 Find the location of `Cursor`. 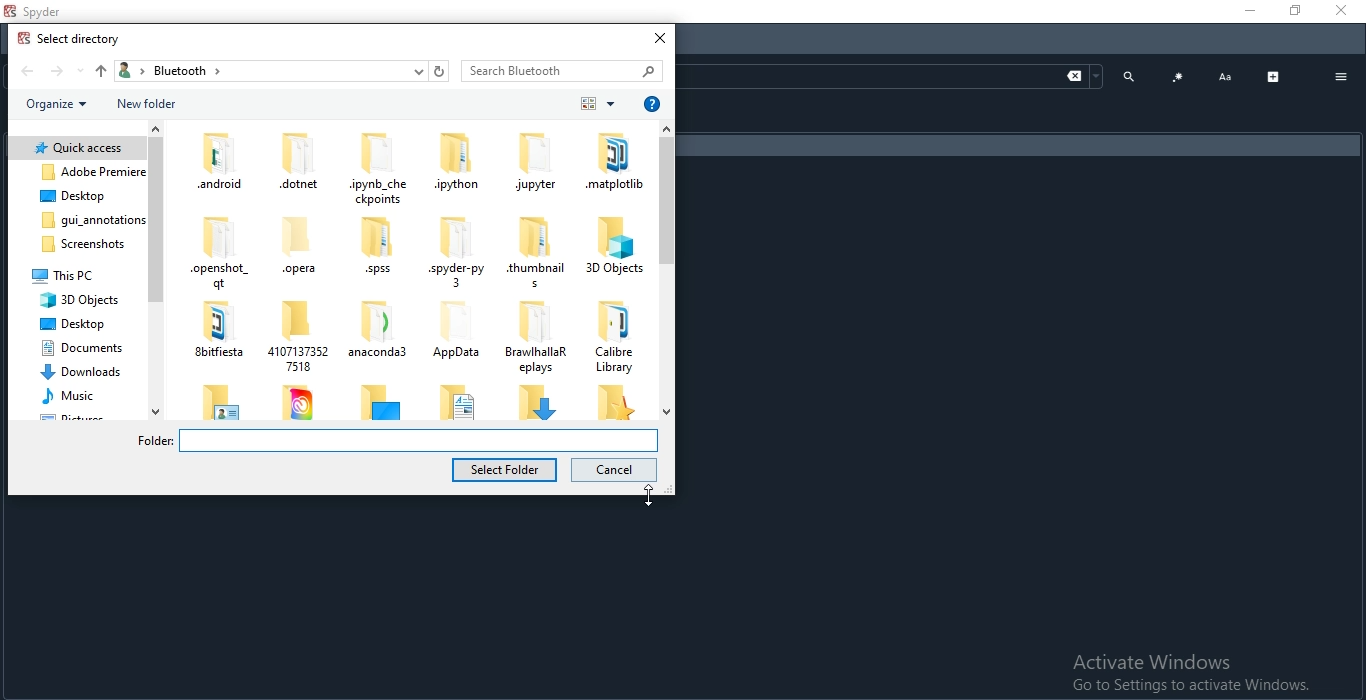

Cursor is located at coordinates (639, 499).